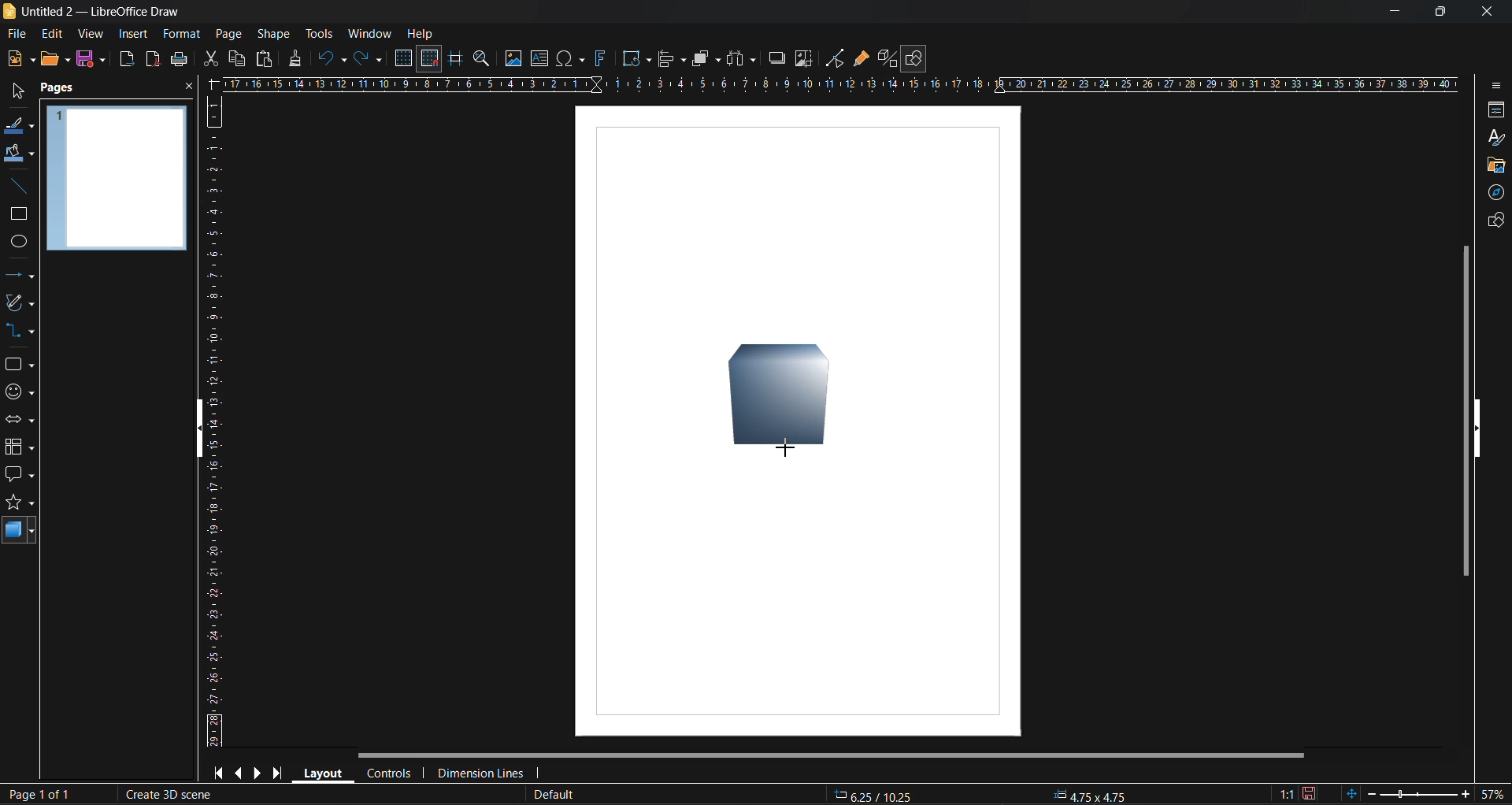  Describe the element at coordinates (366, 61) in the screenshot. I see `redo` at that location.